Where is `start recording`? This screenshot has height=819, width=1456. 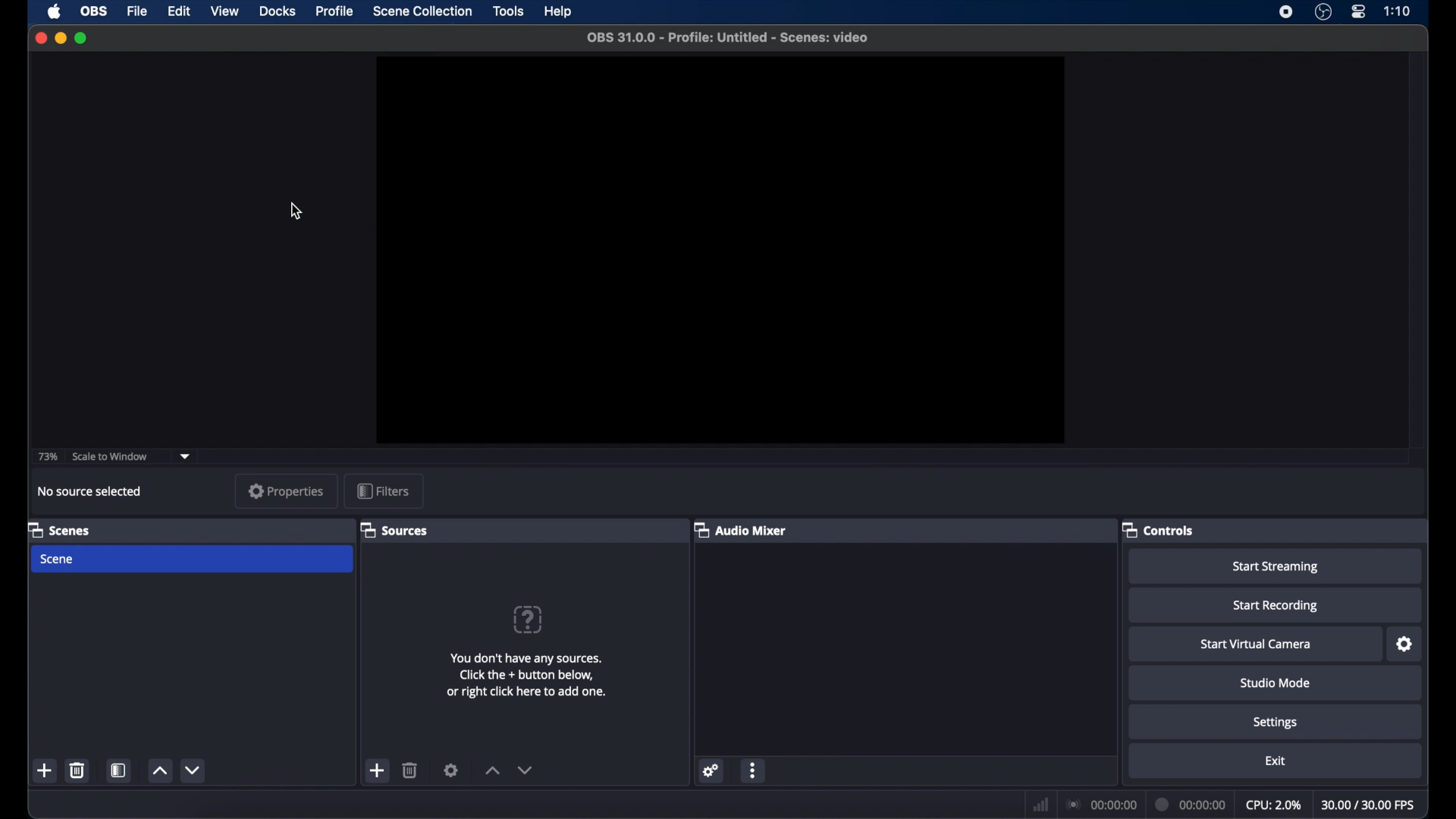 start recording is located at coordinates (1282, 606).